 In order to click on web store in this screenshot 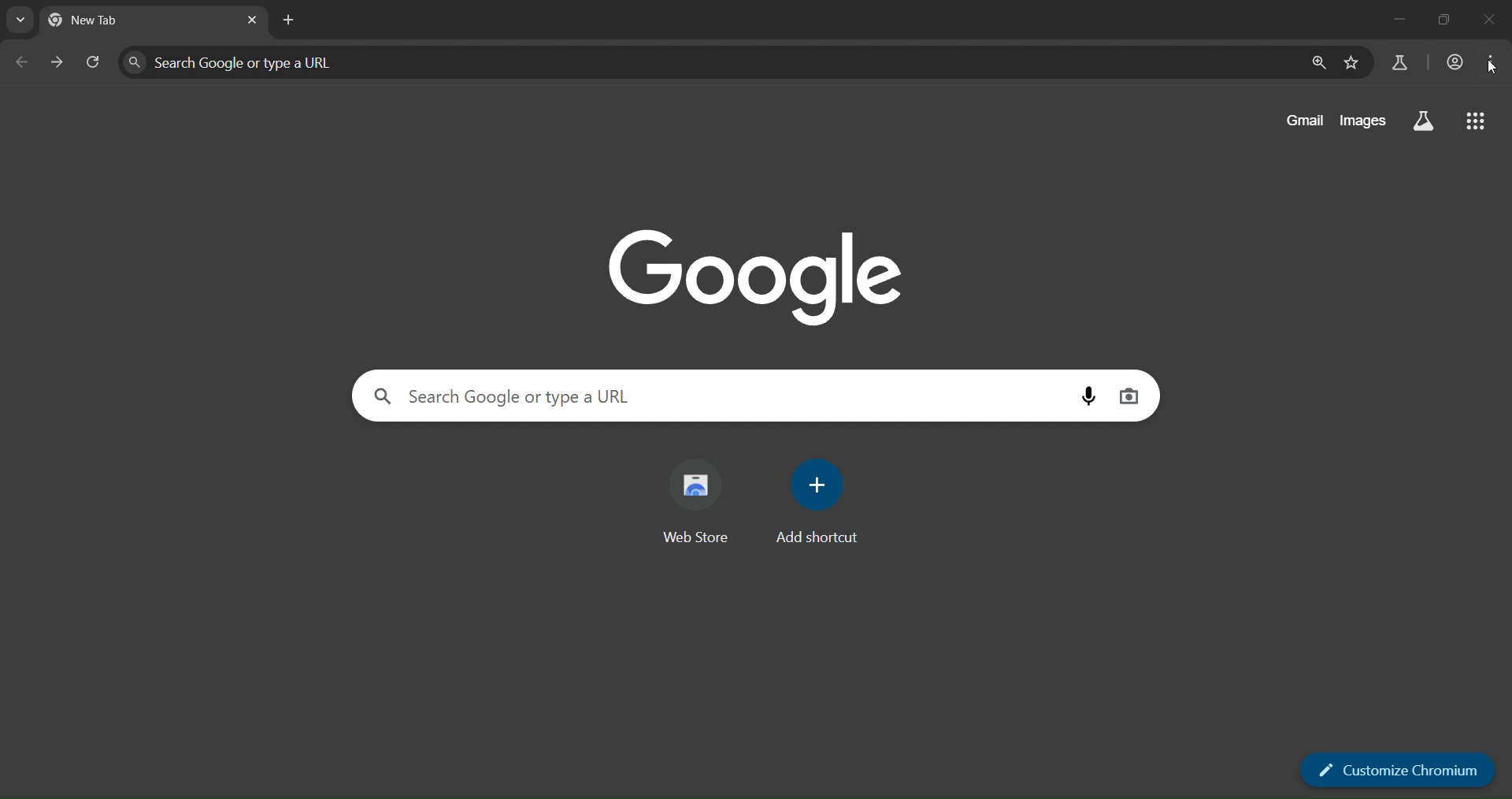, I will do `click(702, 500)`.